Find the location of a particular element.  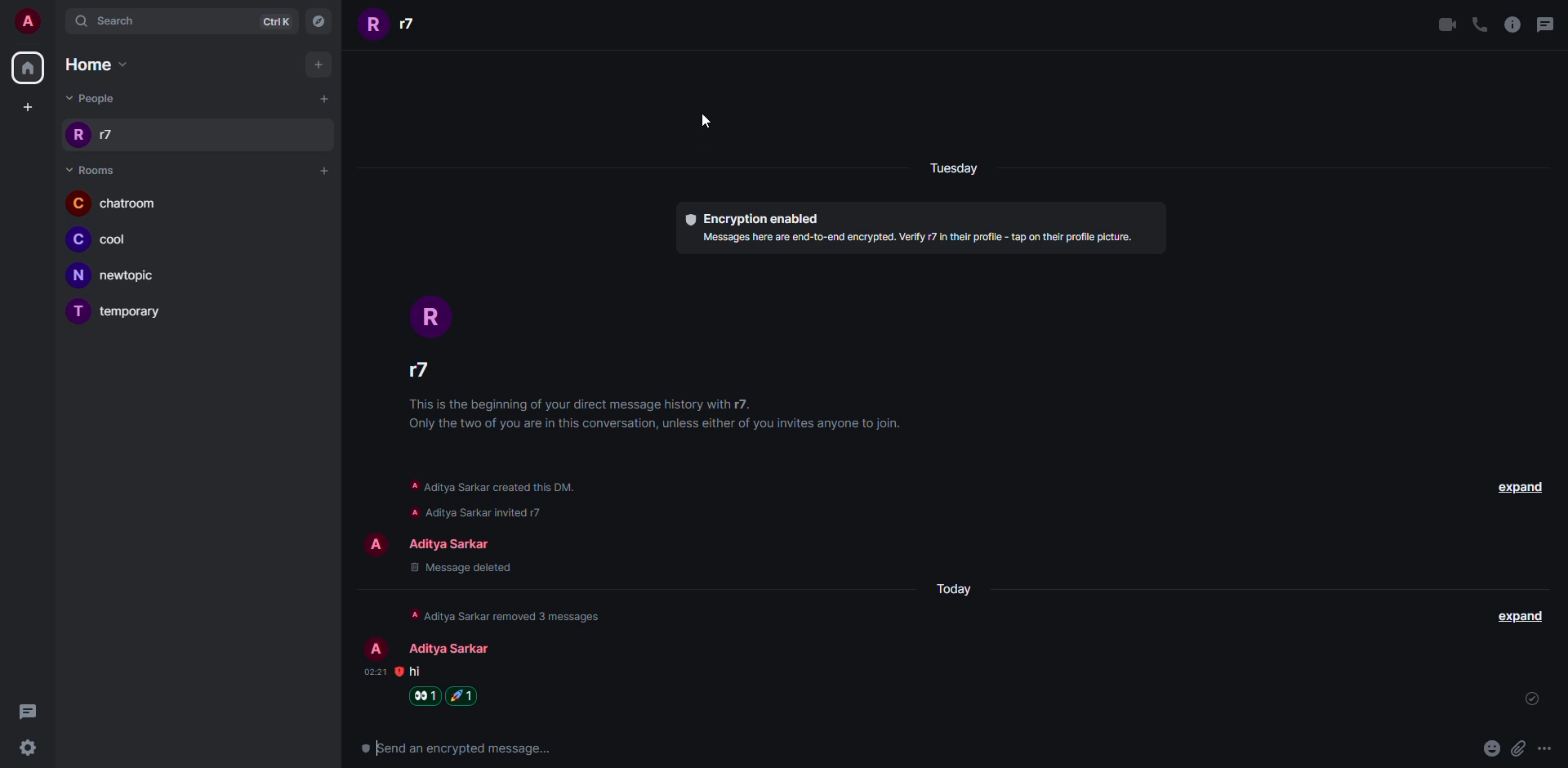

ctrlK is located at coordinates (279, 21).